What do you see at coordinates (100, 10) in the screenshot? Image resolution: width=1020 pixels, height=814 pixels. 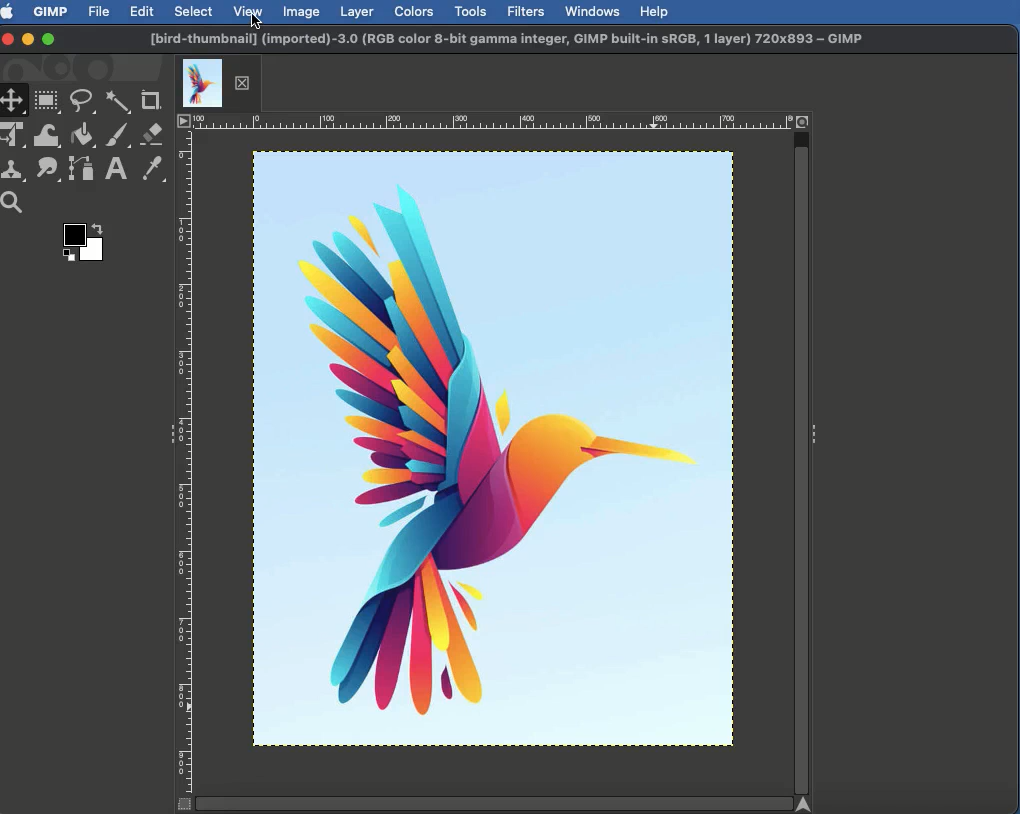 I see `File` at bounding box center [100, 10].